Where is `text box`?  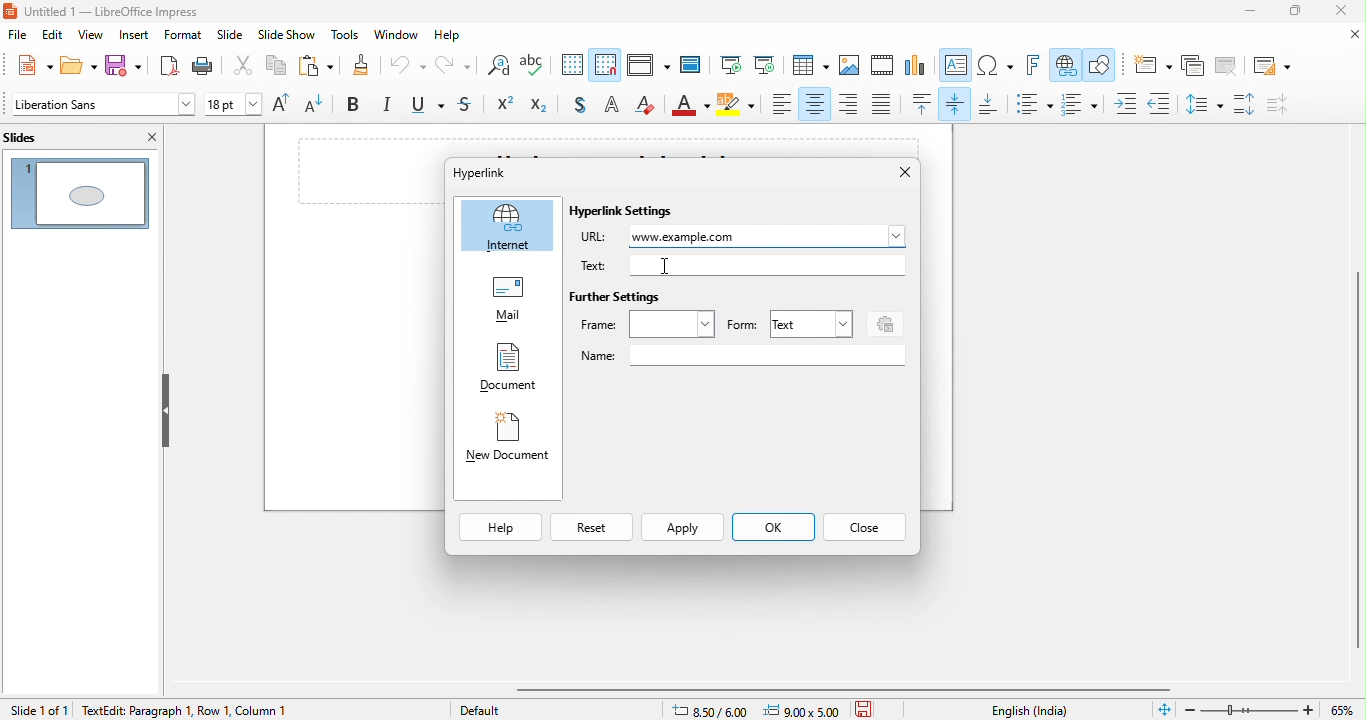 text box is located at coordinates (957, 67).